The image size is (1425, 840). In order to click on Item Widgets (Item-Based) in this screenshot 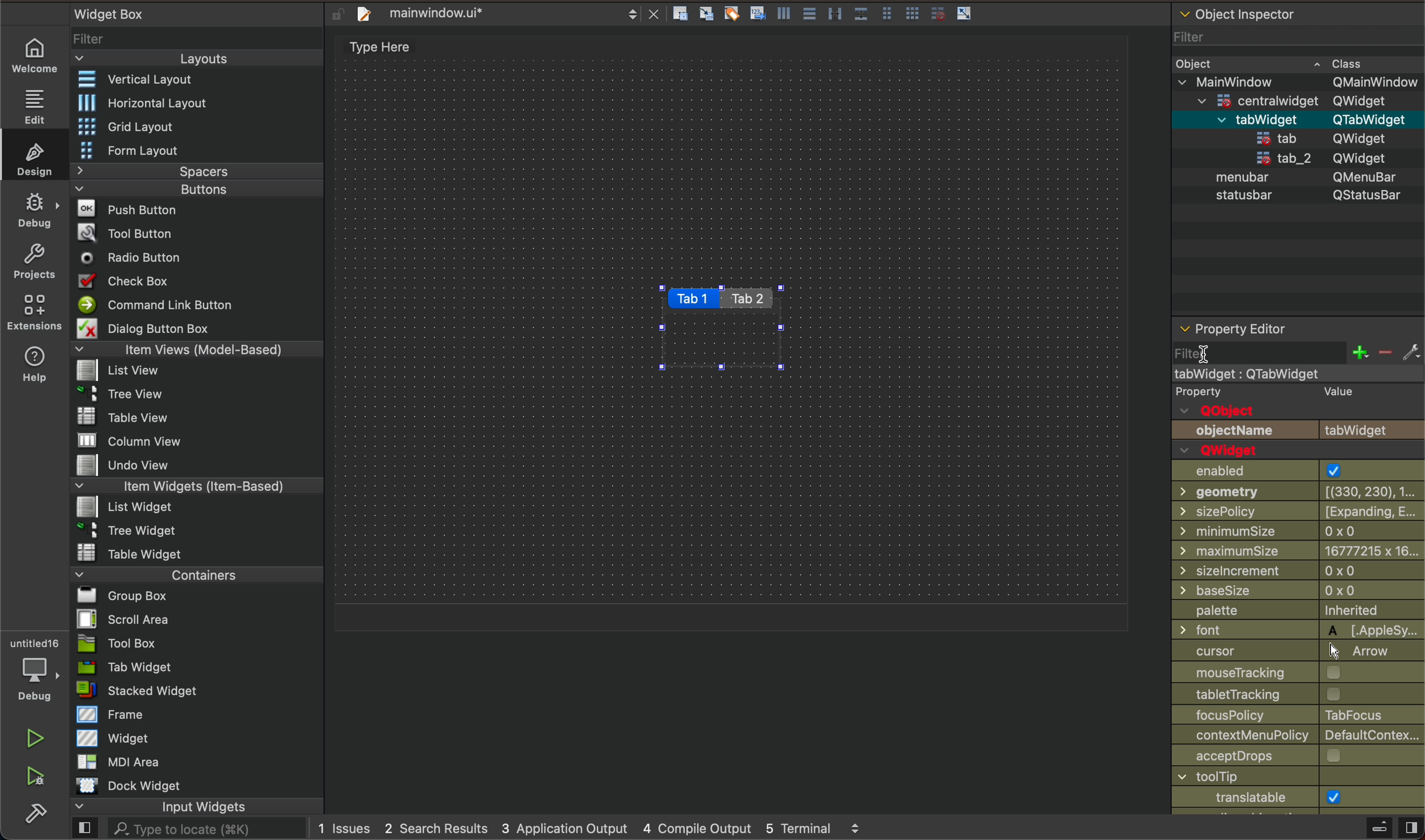, I will do `click(198, 486)`.